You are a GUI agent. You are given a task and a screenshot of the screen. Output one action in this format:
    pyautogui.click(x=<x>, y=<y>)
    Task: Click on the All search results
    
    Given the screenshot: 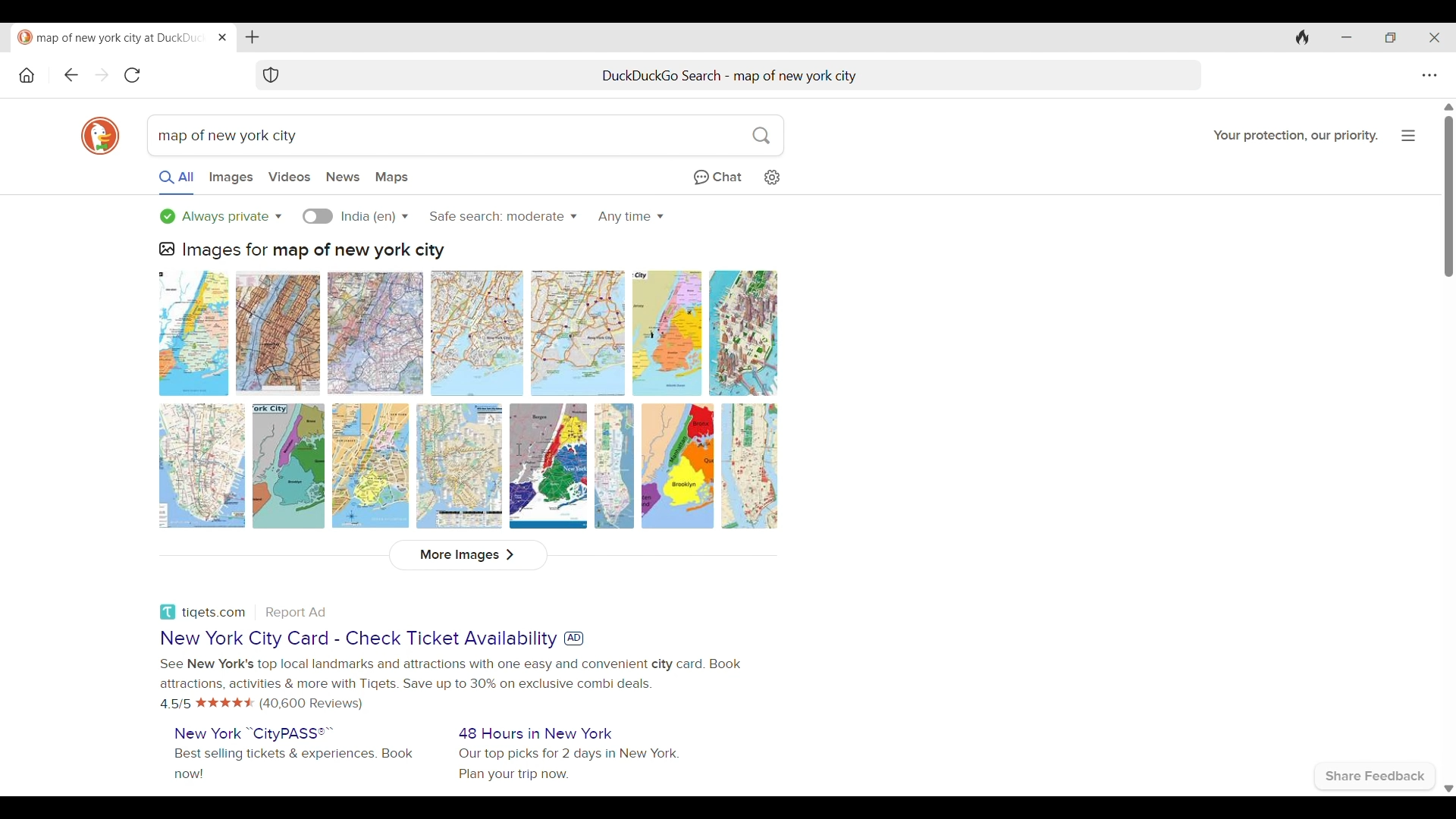 What is the action you would take?
    pyautogui.click(x=177, y=181)
    